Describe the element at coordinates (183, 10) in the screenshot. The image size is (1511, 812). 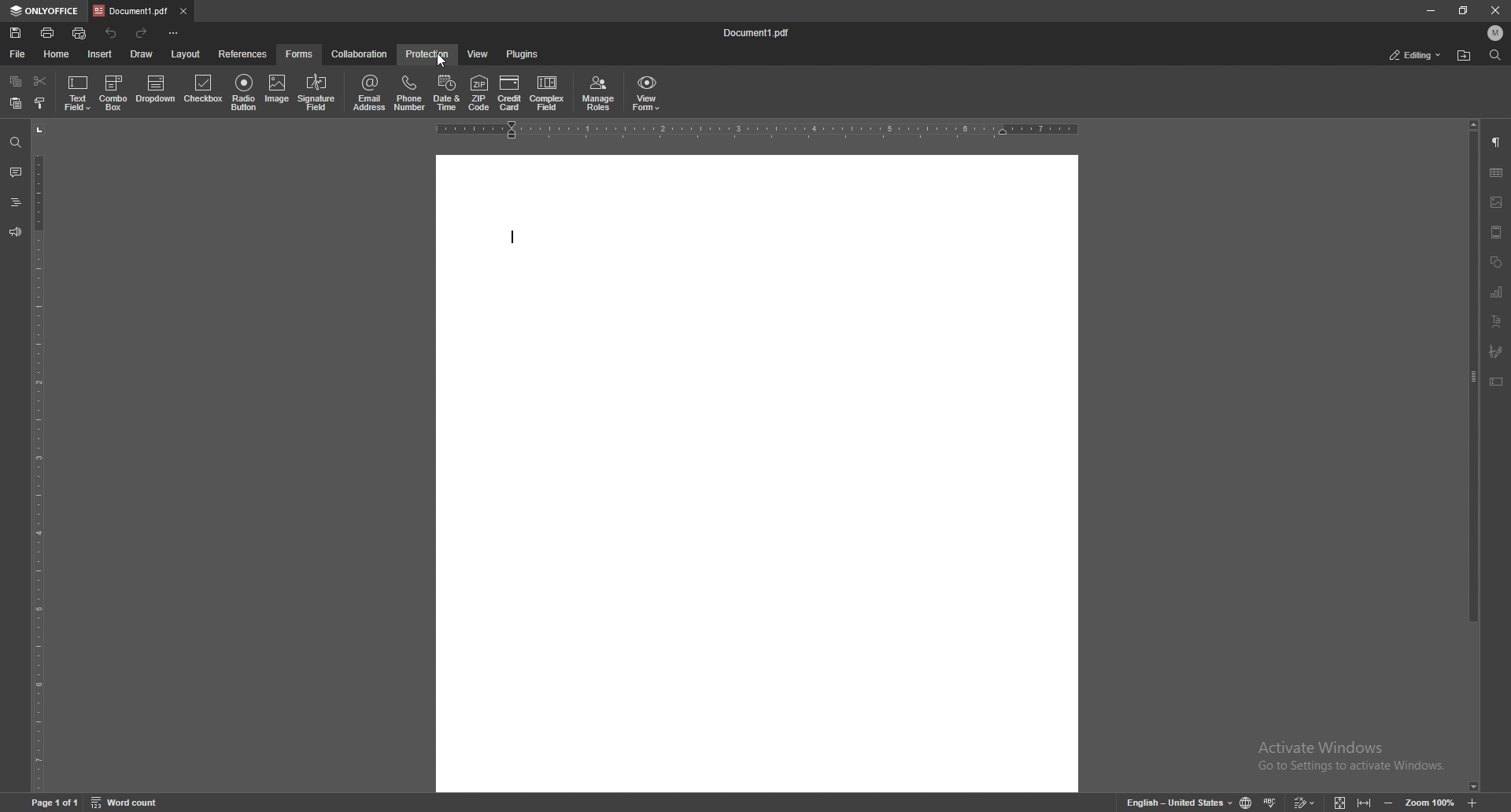
I see `close tab` at that location.